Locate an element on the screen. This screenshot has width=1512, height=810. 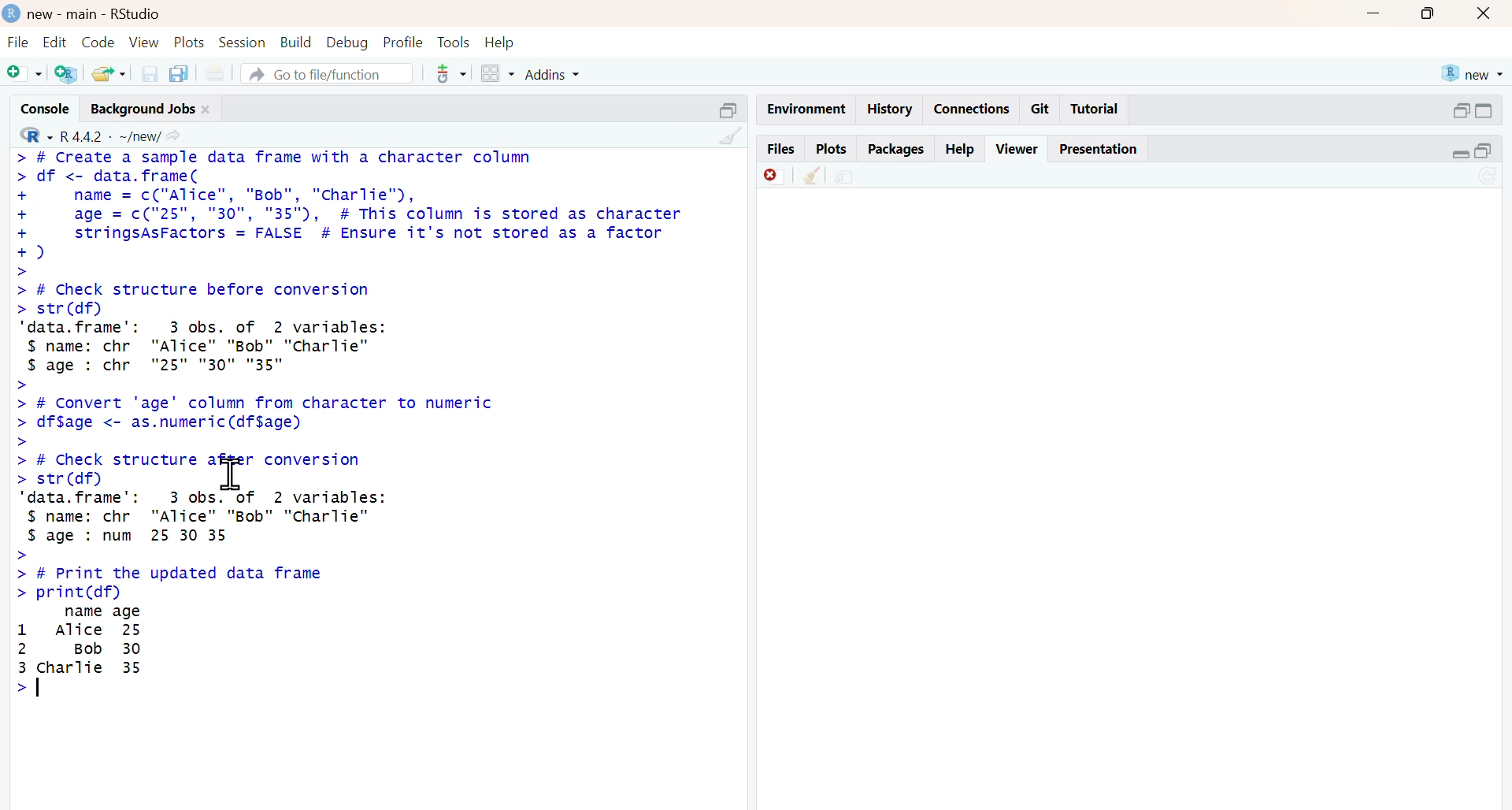
cursor is located at coordinates (233, 474).